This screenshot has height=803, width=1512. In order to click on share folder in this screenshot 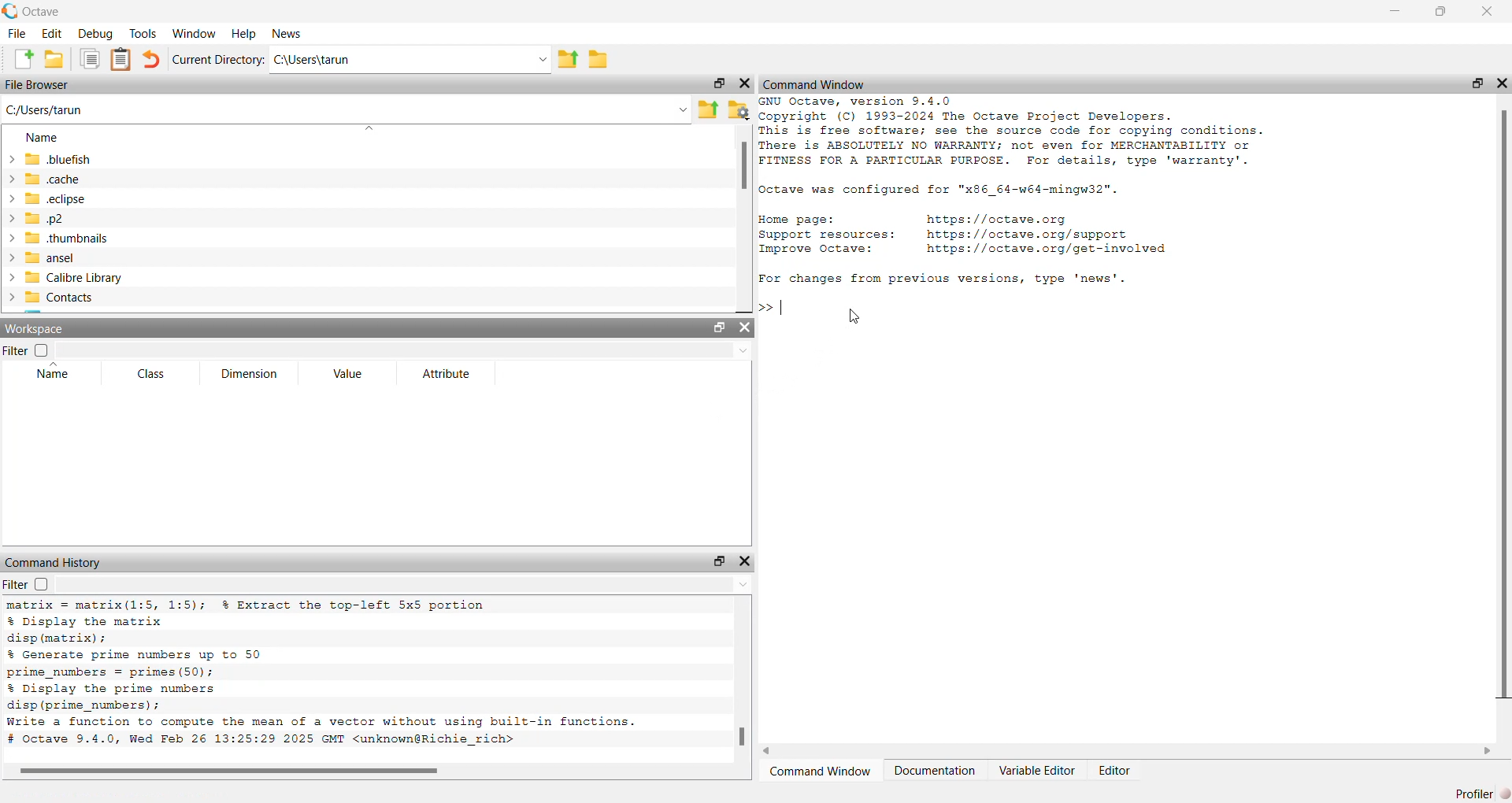, I will do `click(569, 60)`.